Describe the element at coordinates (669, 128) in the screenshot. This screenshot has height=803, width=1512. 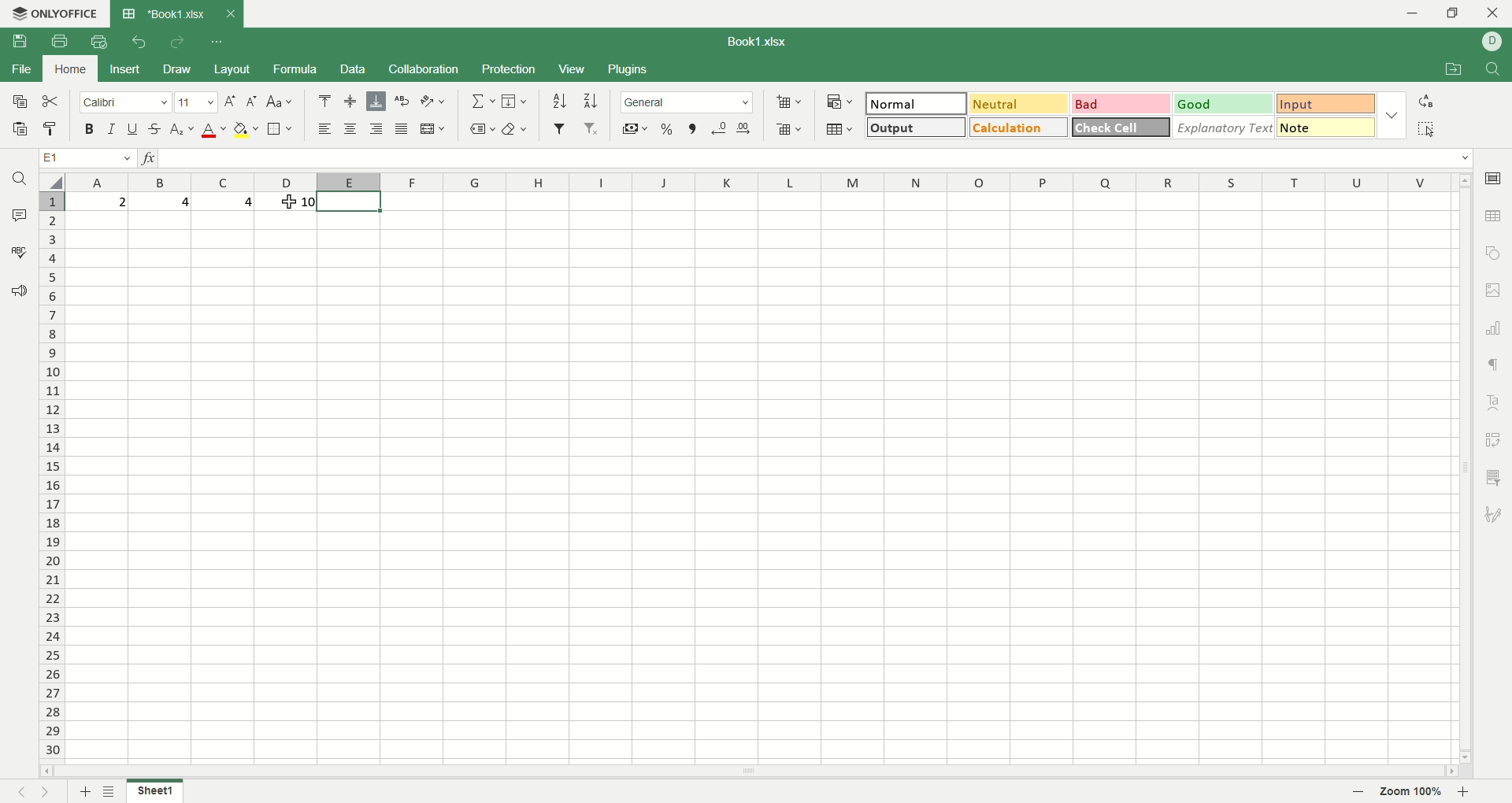
I see `percent style` at that location.